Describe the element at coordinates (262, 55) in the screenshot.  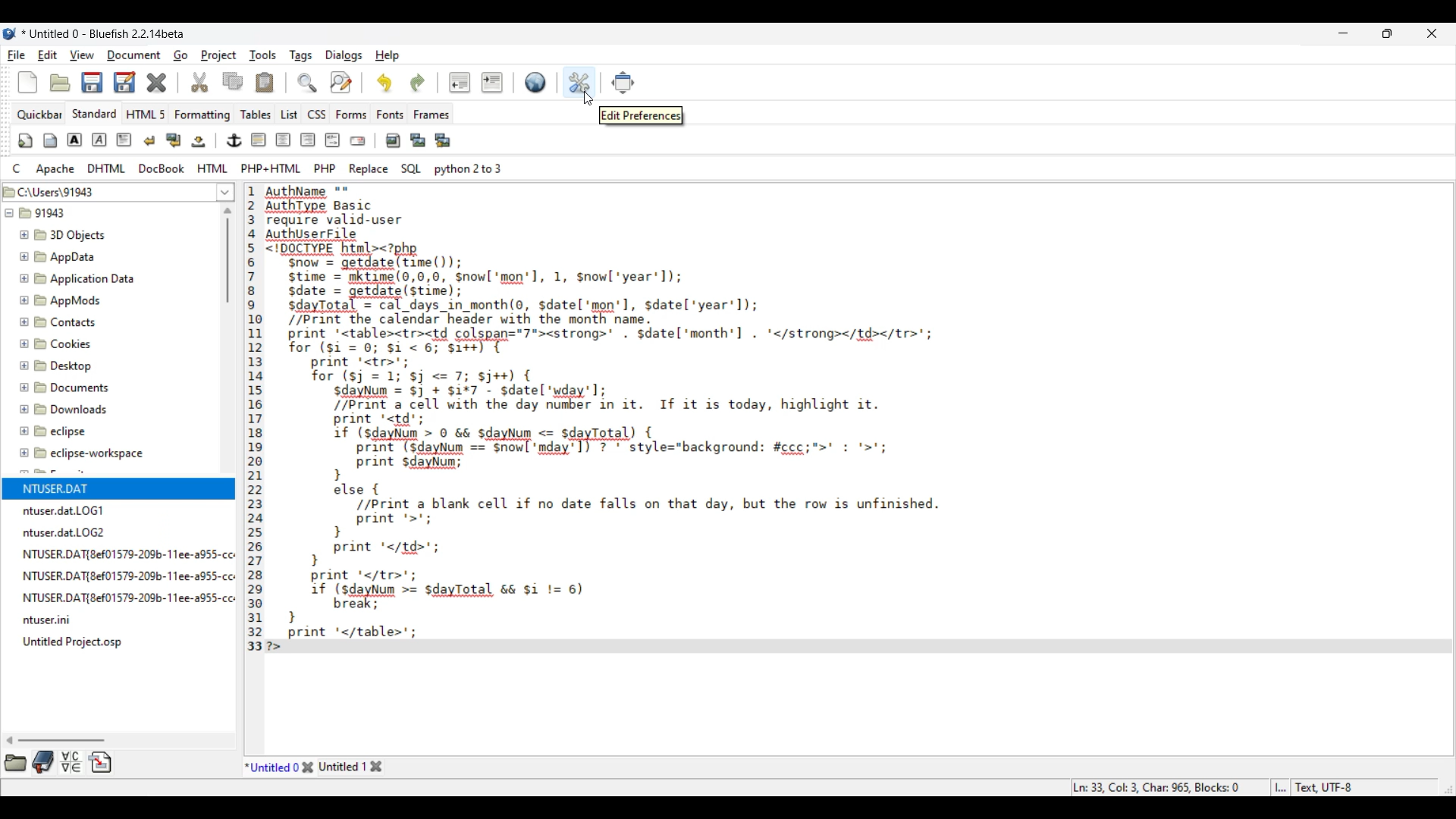
I see `Tools menu` at that location.